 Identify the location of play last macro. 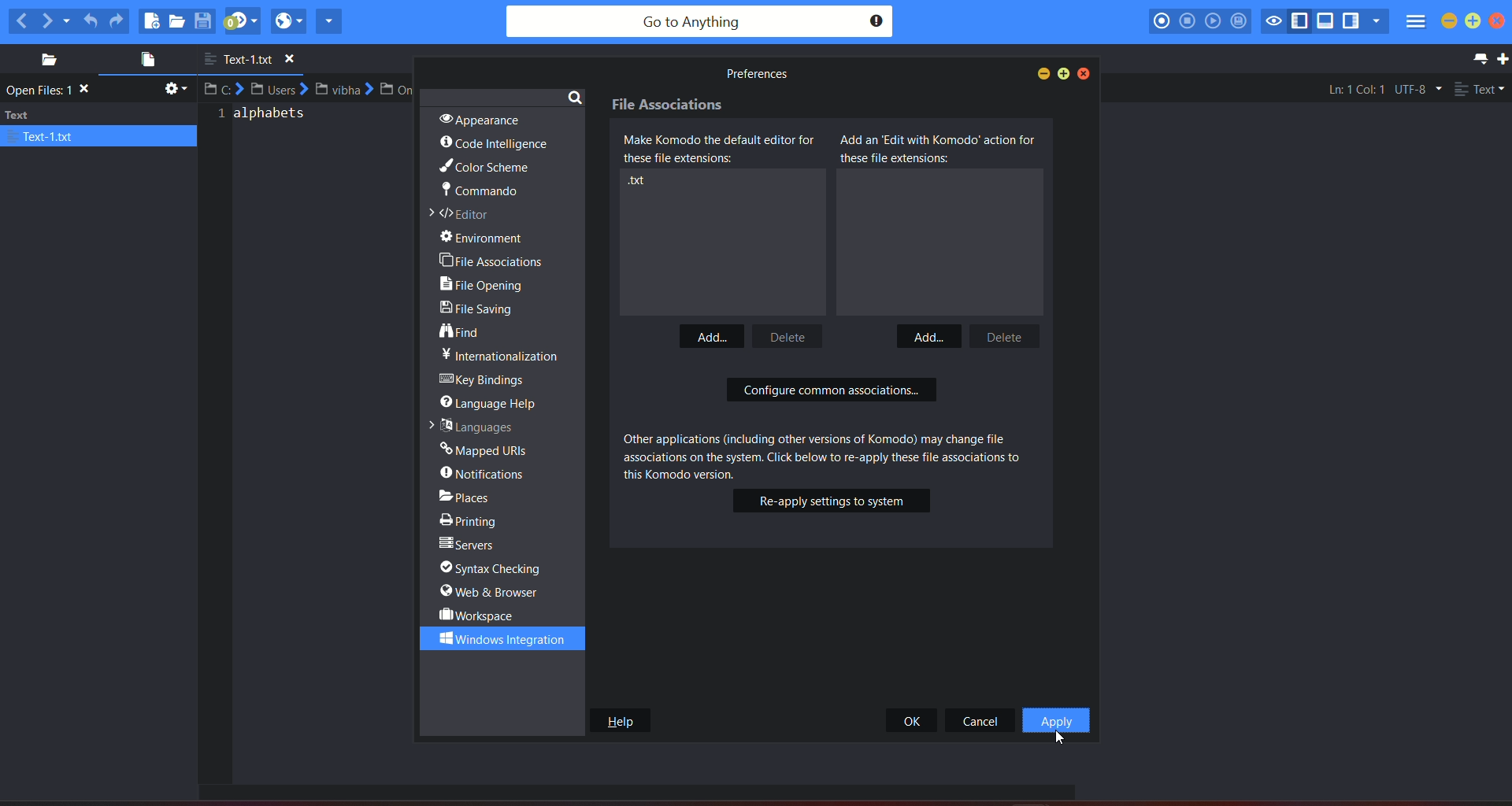
(1214, 21).